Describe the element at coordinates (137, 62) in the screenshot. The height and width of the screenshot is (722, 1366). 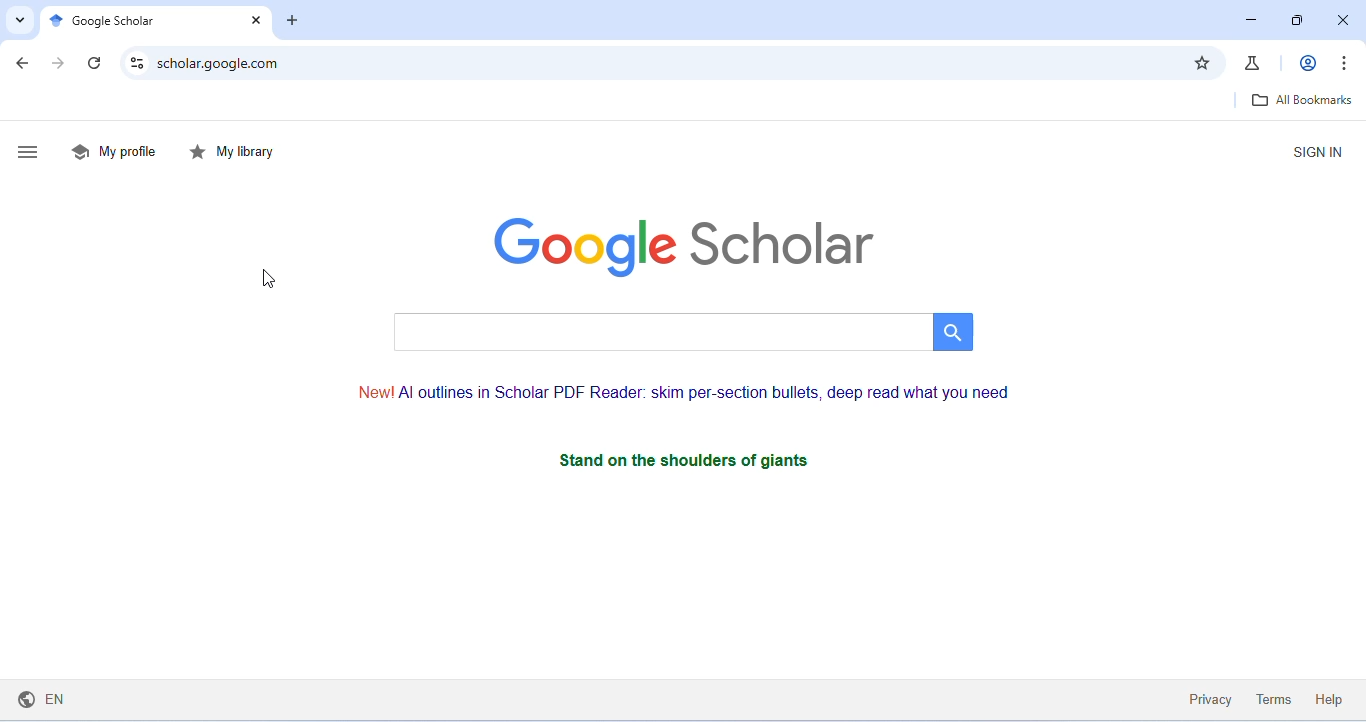
I see `site information` at that location.